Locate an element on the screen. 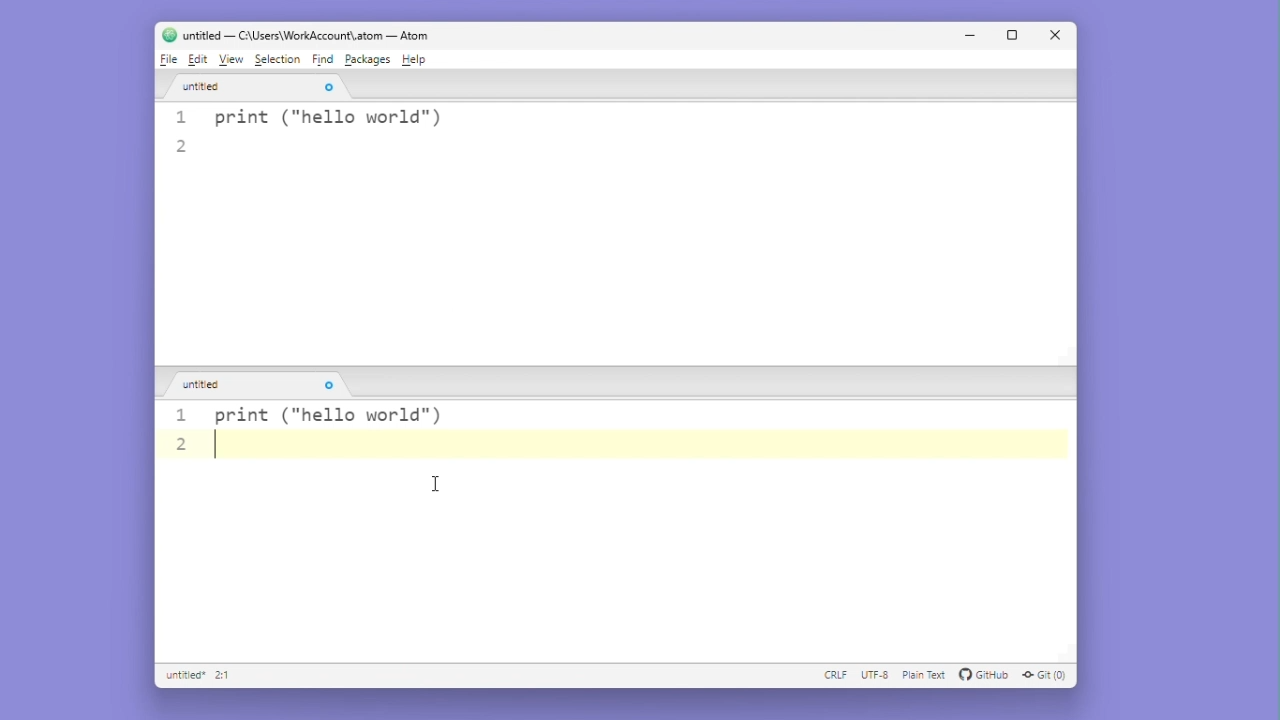  editor space is located at coordinates (611, 259).